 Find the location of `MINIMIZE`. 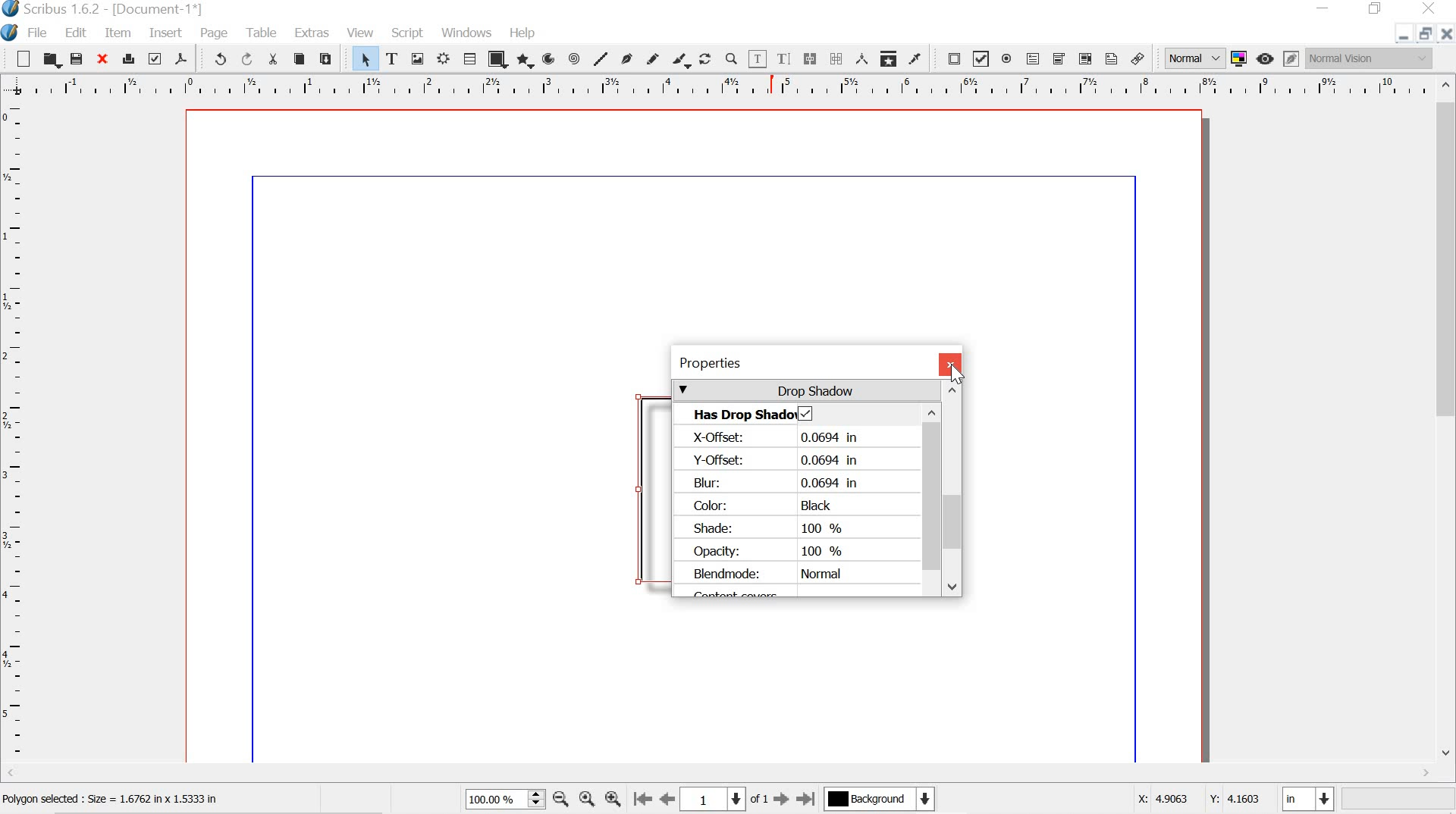

MINIMIZE is located at coordinates (1325, 7).